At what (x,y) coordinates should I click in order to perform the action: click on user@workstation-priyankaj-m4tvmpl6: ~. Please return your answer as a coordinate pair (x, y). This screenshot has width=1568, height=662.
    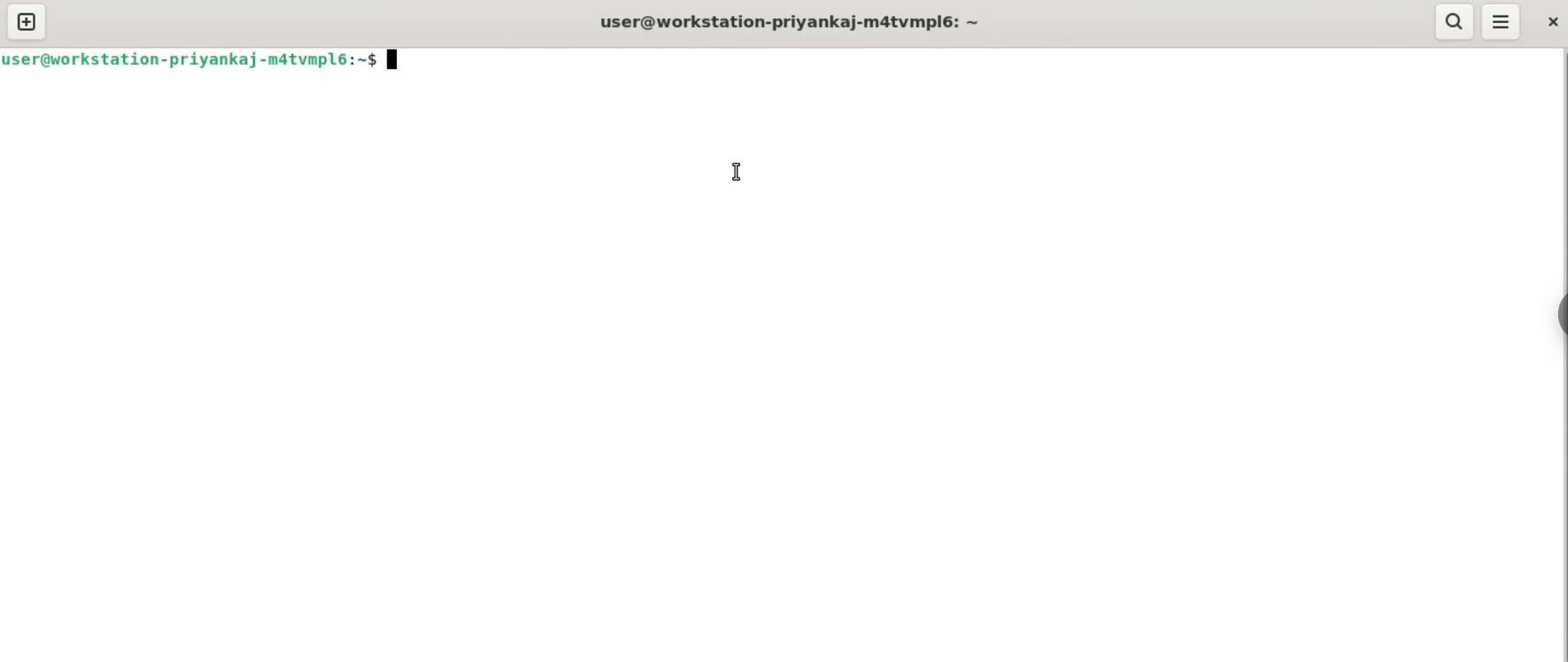
    Looking at the image, I should click on (797, 22).